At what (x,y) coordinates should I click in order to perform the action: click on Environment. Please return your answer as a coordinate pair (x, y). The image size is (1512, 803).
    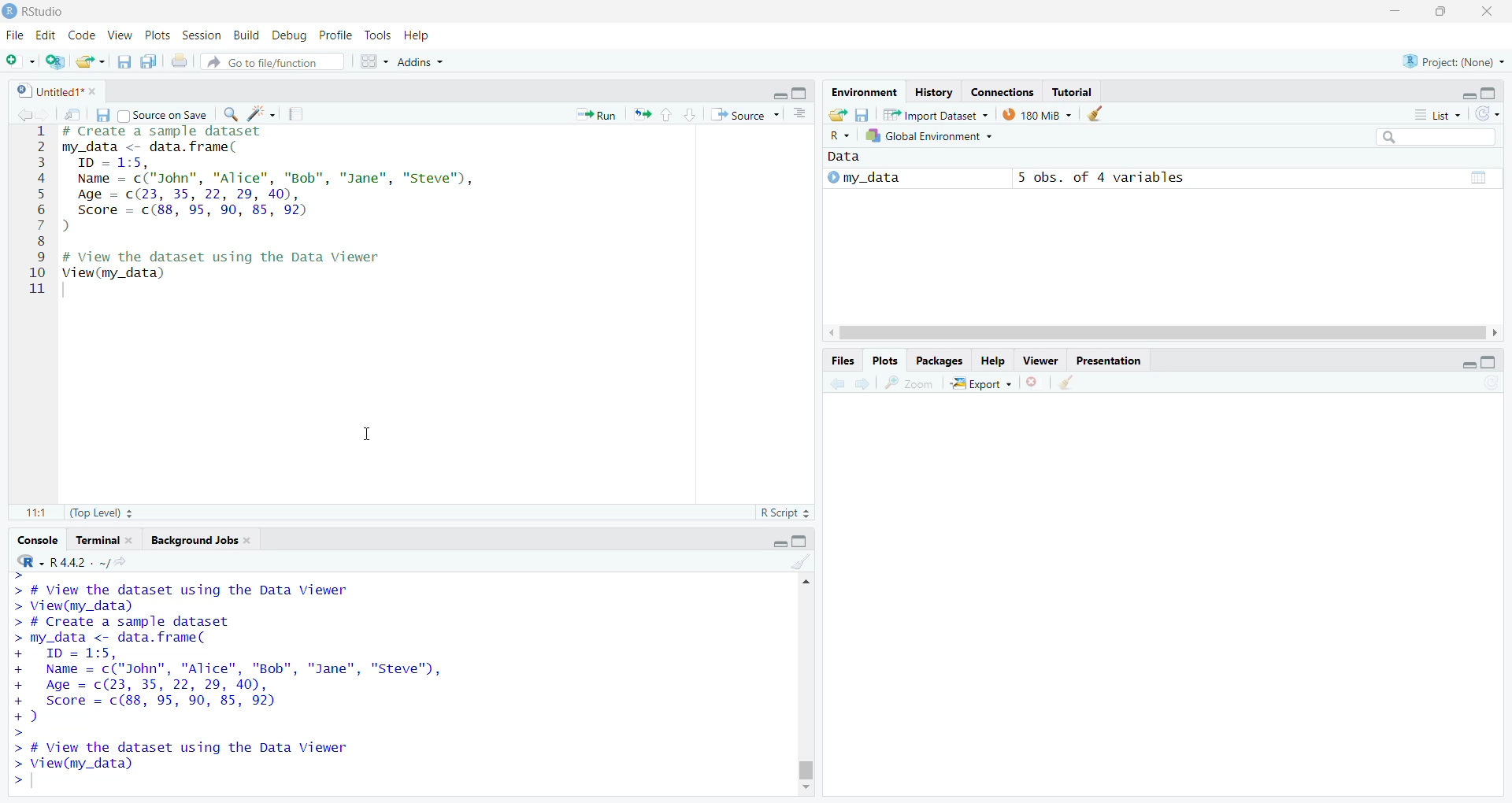
    Looking at the image, I should click on (865, 94).